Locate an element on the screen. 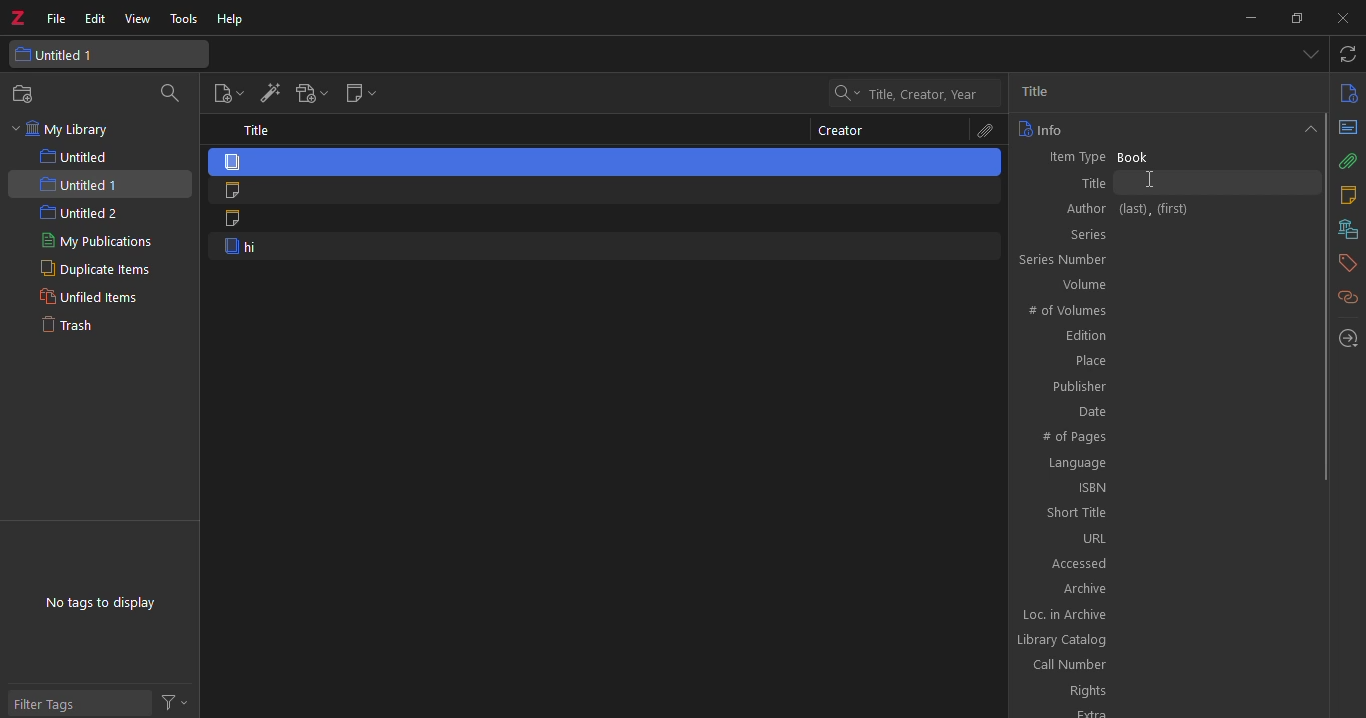 This screenshot has height=718, width=1366. unfiled items is located at coordinates (86, 298).